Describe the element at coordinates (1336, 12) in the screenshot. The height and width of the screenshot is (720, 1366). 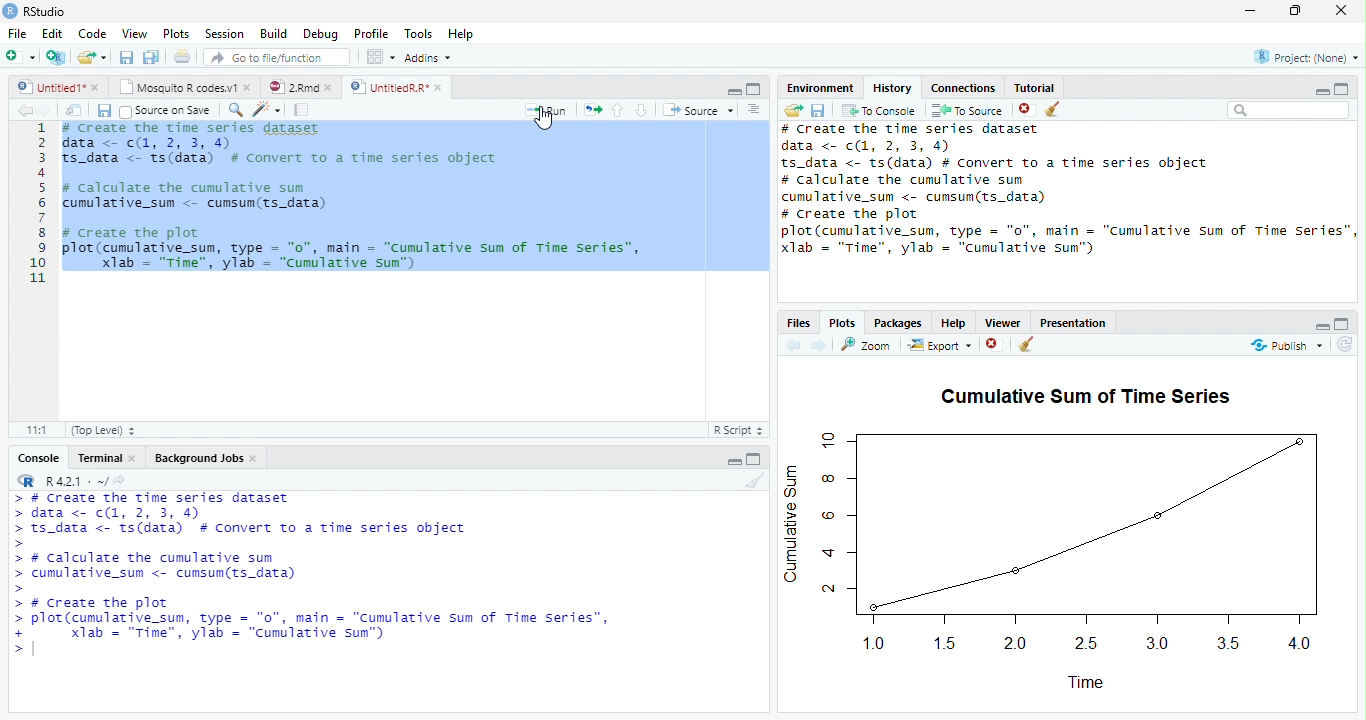
I see `Close` at that location.